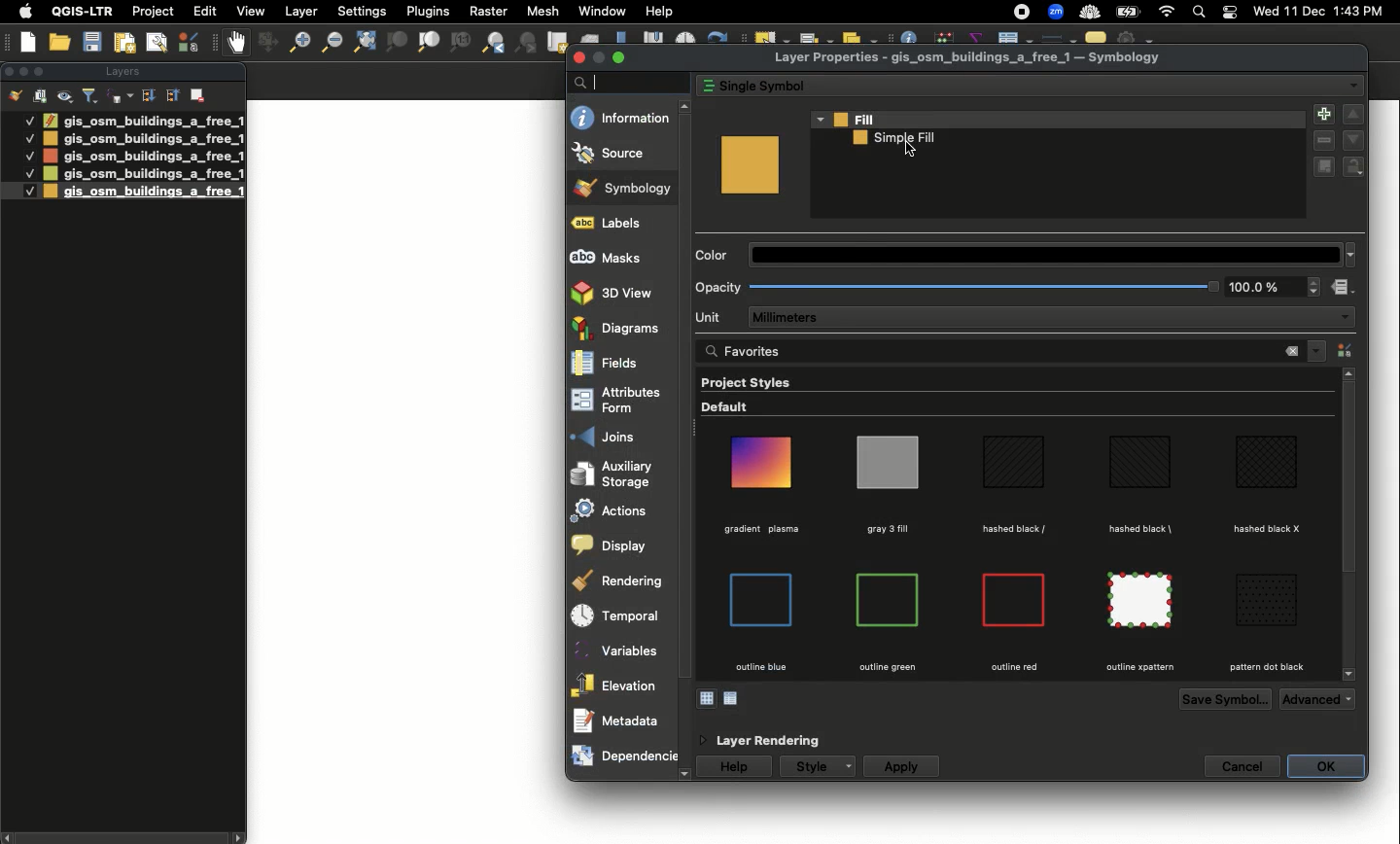  I want to click on outline blue, so click(760, 667).